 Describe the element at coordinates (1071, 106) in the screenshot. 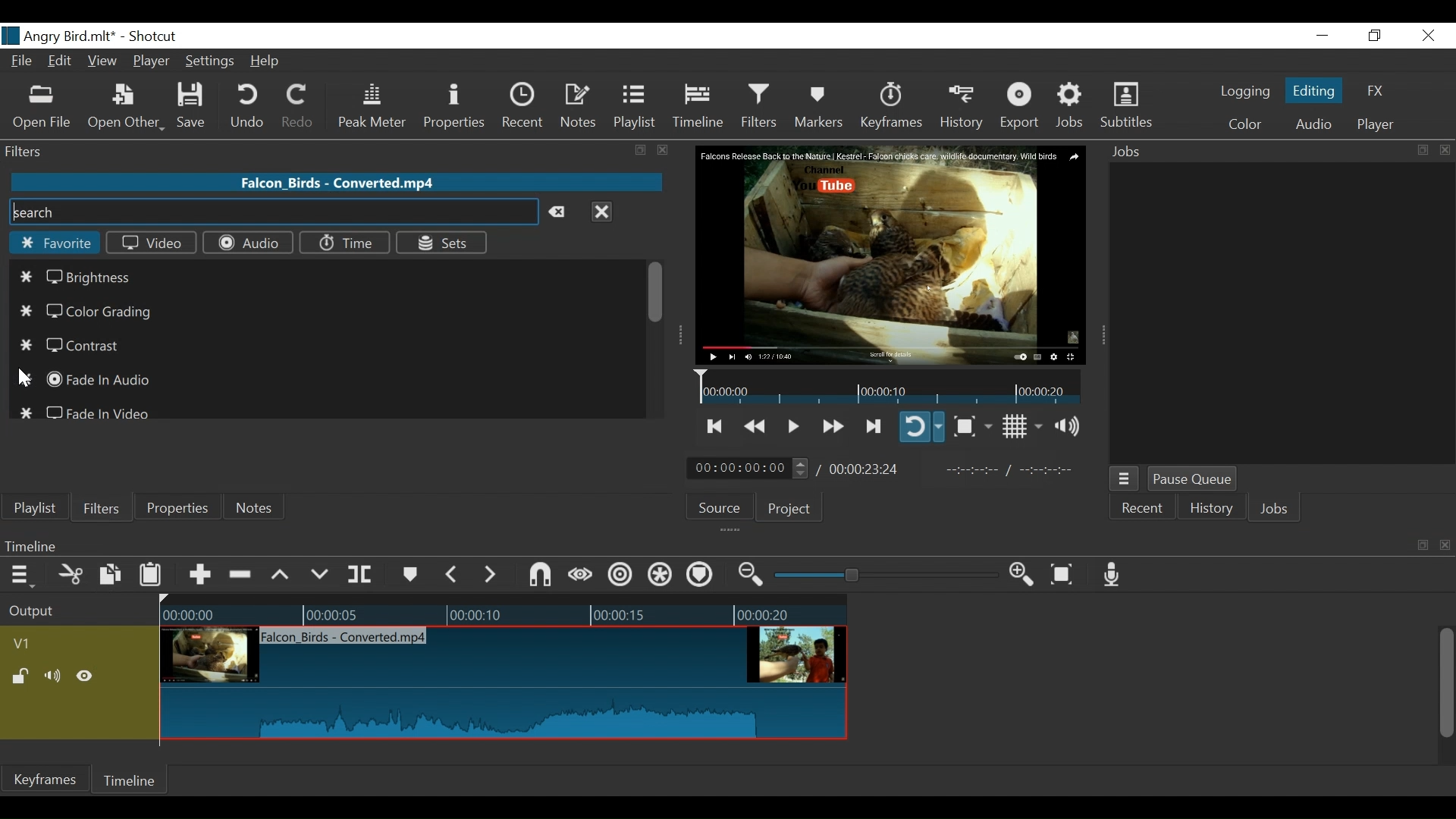

I see `Jobs` at that location.